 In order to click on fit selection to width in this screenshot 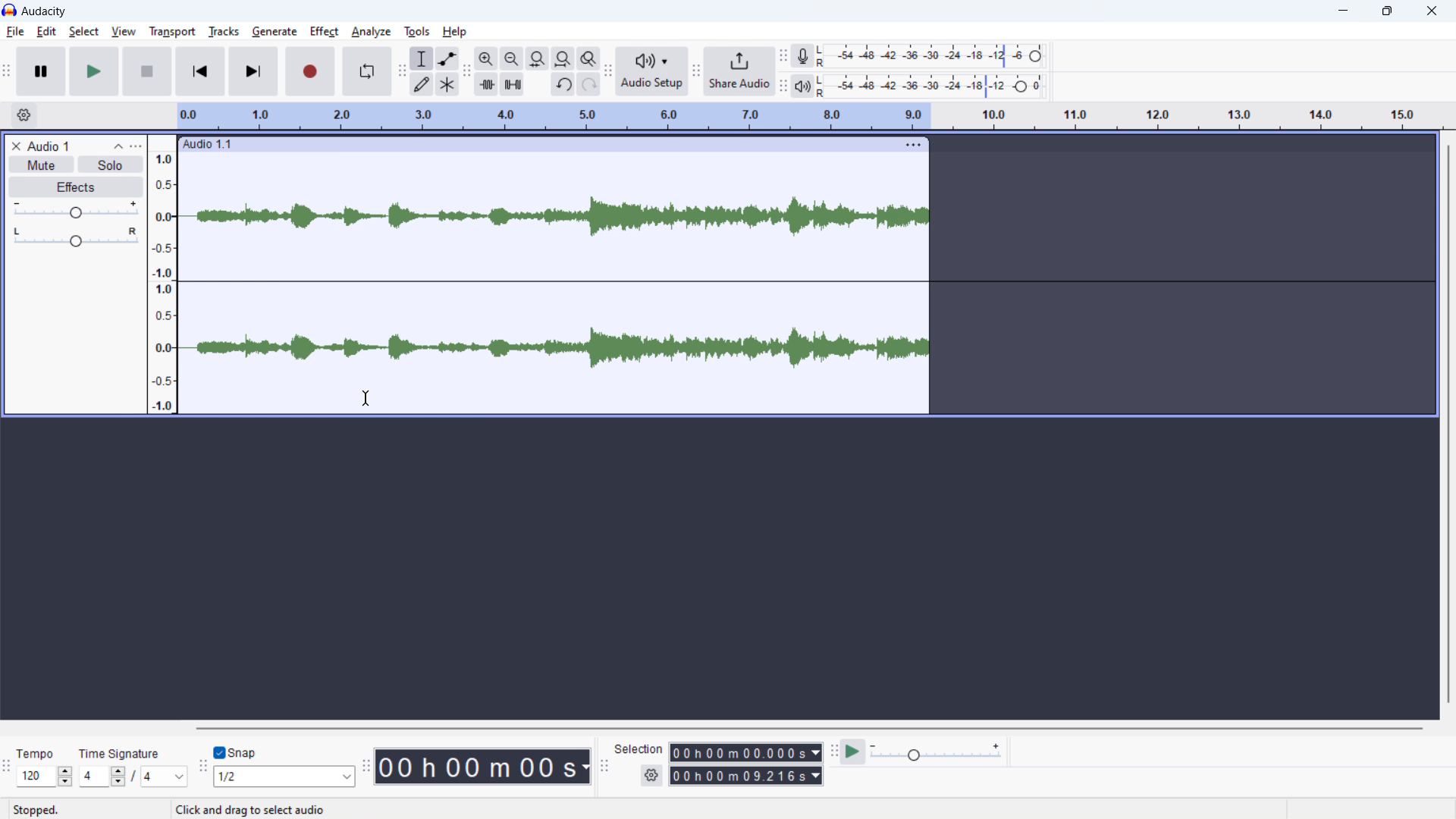, I will do `click(538, 58)`.